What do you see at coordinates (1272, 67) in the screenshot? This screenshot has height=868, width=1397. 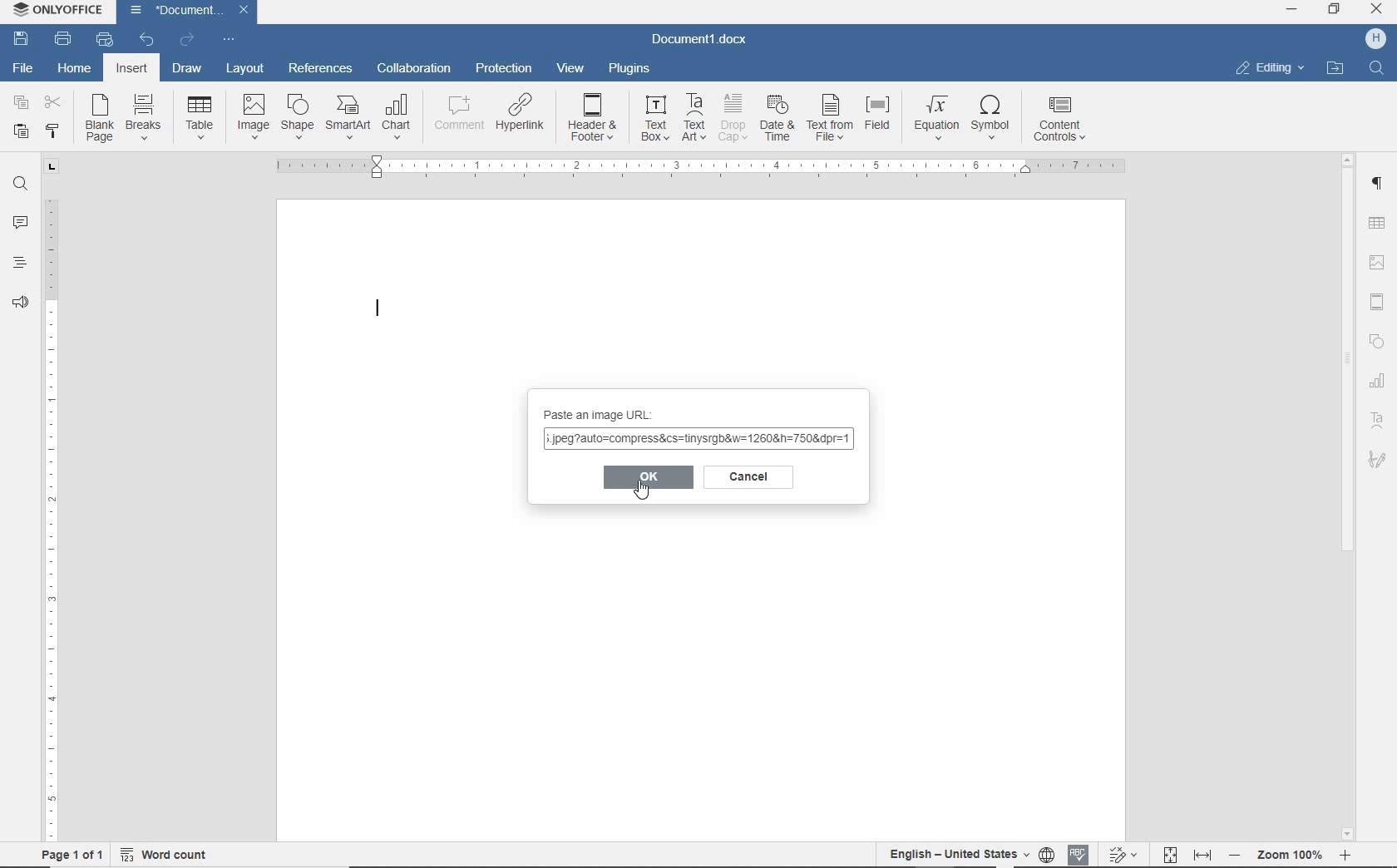 I see `editing` at bounding box center [1272, 67].